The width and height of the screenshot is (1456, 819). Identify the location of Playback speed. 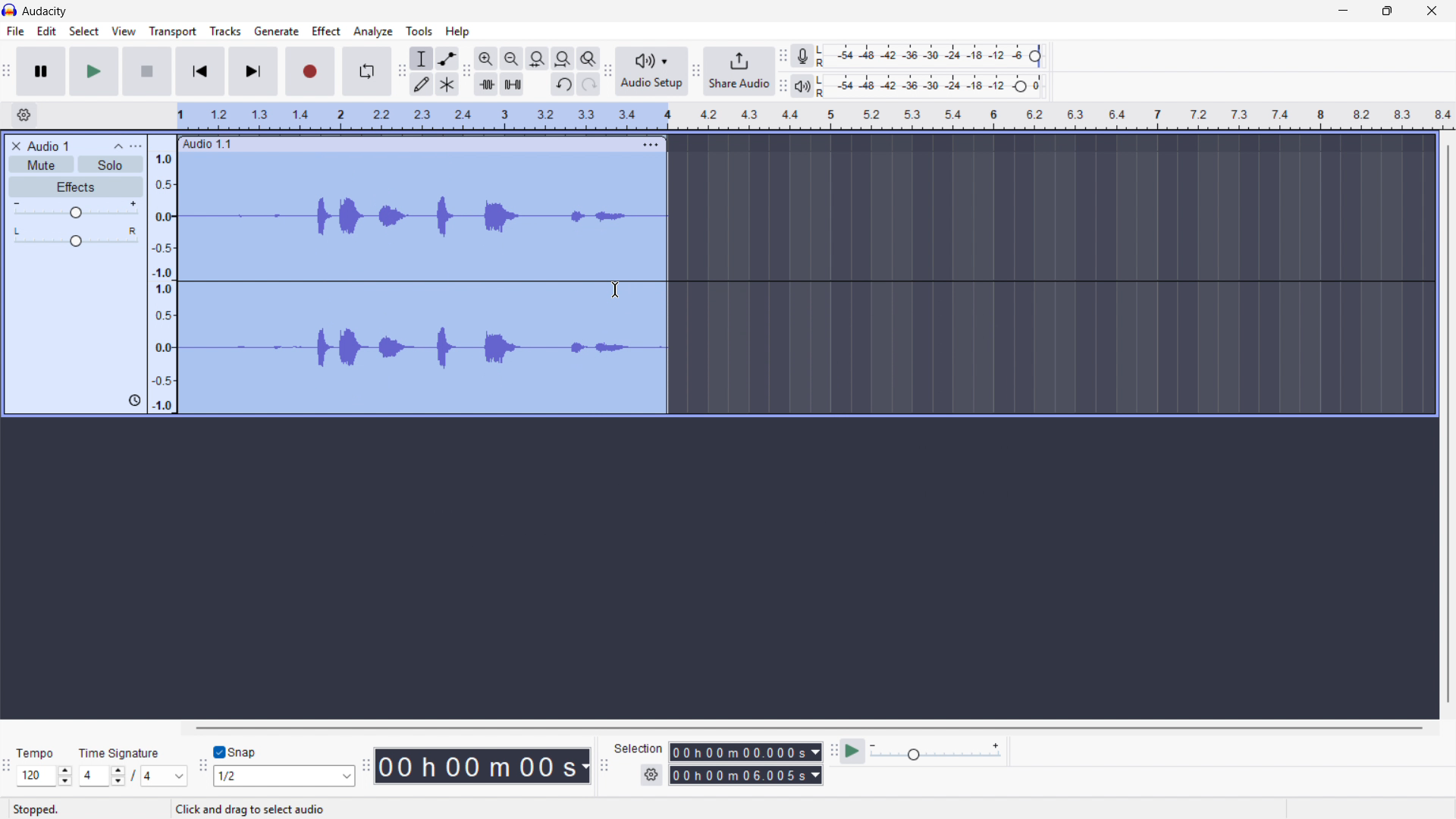
(935, 753).